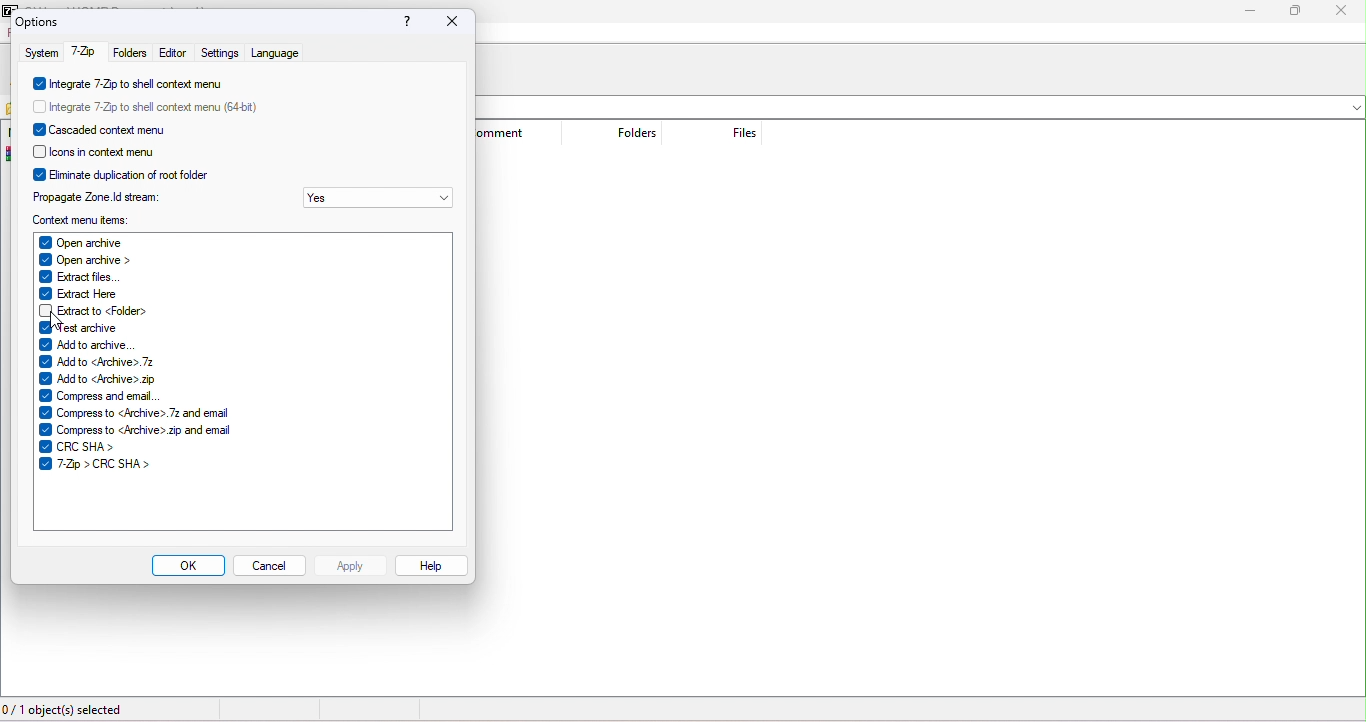 The height and width of the screenshot is (722, 1366). I want to click on maximize, so click(1299, 12).